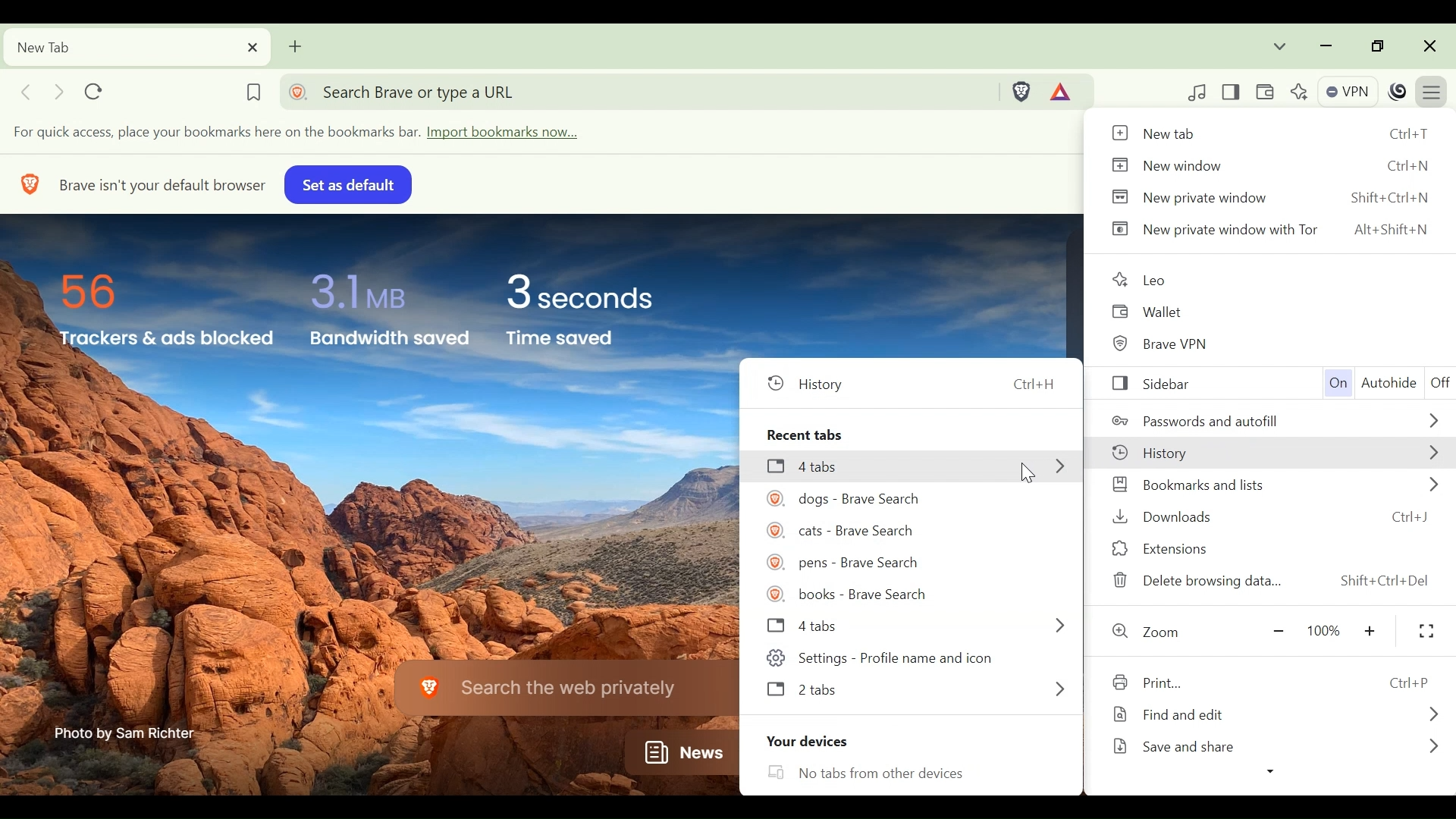 The width and height of the screenshot is (1456, 819). I want to click on Click to go back, so click(25, 91).